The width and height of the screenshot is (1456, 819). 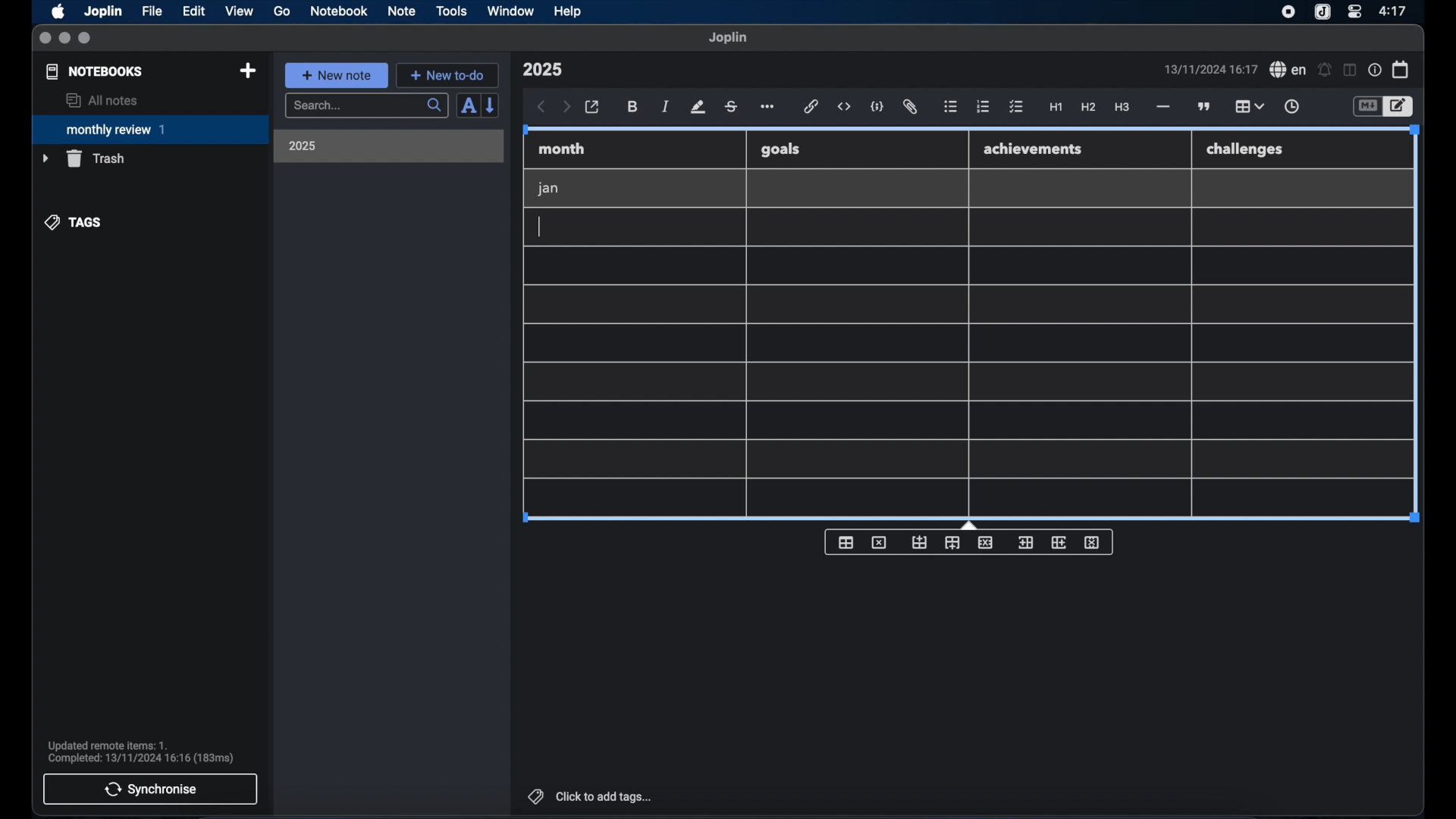 What do you see at coordinates (339, 11) in the screenshot?
I see `notebook` at bounding box center [339, 11].